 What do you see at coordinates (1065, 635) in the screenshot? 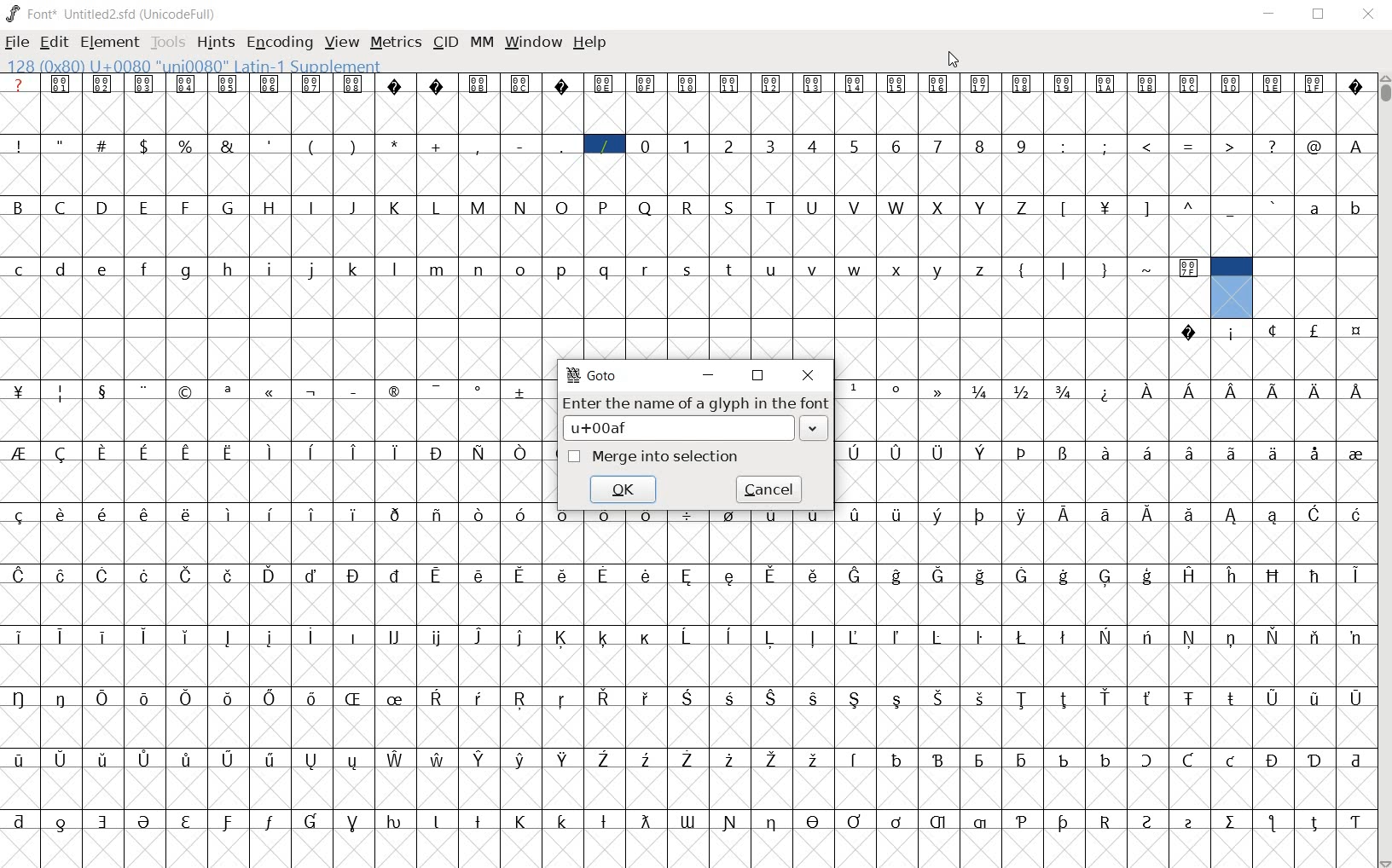
I see `Symbol` at bounding box center [1065, 635].